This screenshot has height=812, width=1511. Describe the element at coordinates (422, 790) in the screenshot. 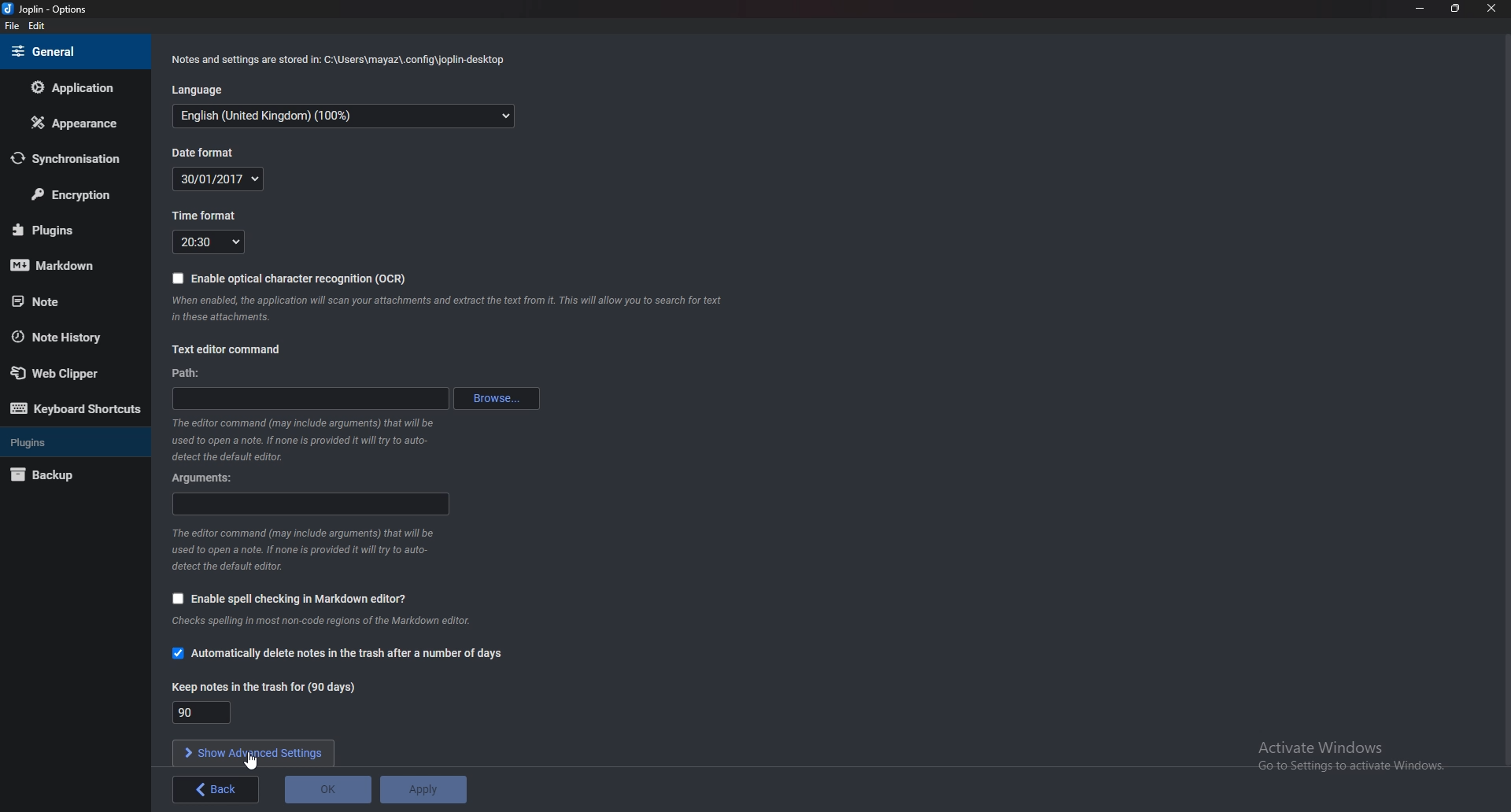

I see `Apply` at that location.